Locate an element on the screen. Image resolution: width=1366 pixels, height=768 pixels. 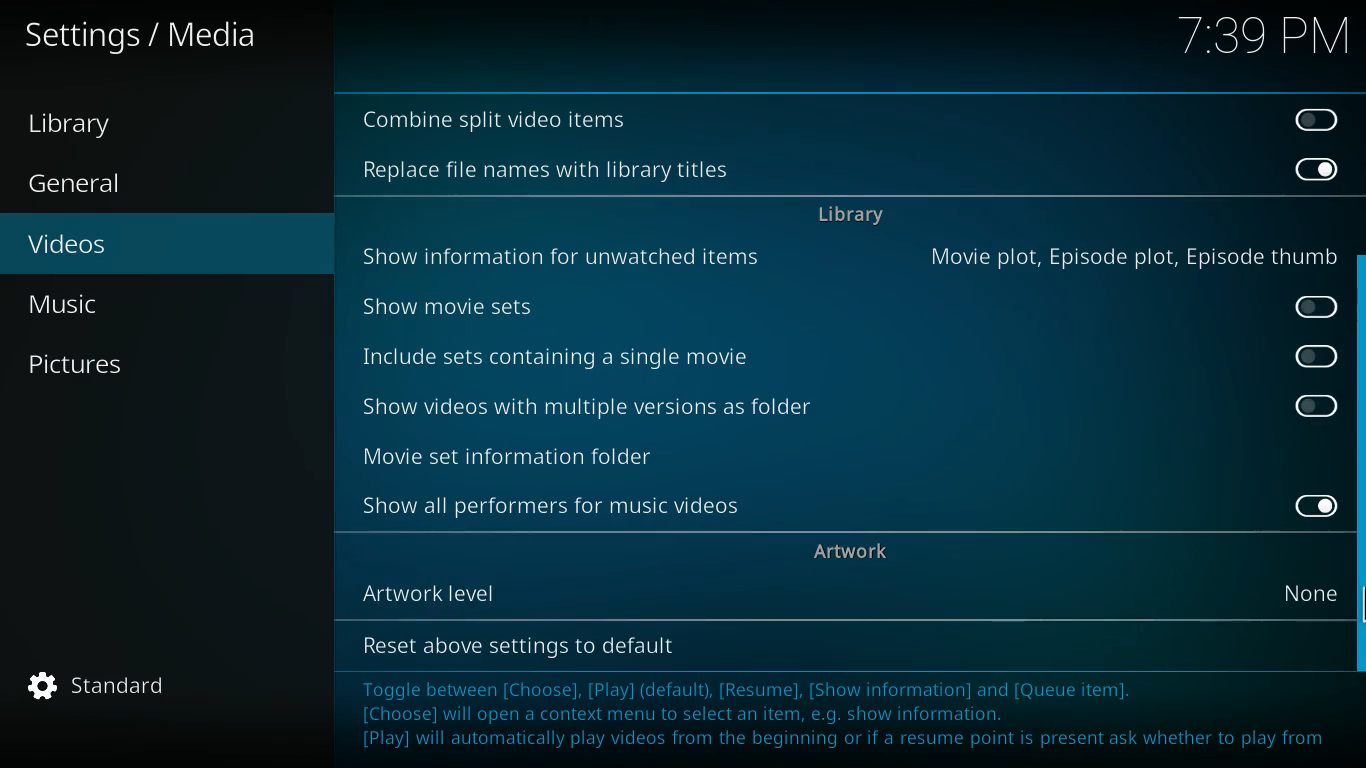
artwork is located at coordinates (854, 552).